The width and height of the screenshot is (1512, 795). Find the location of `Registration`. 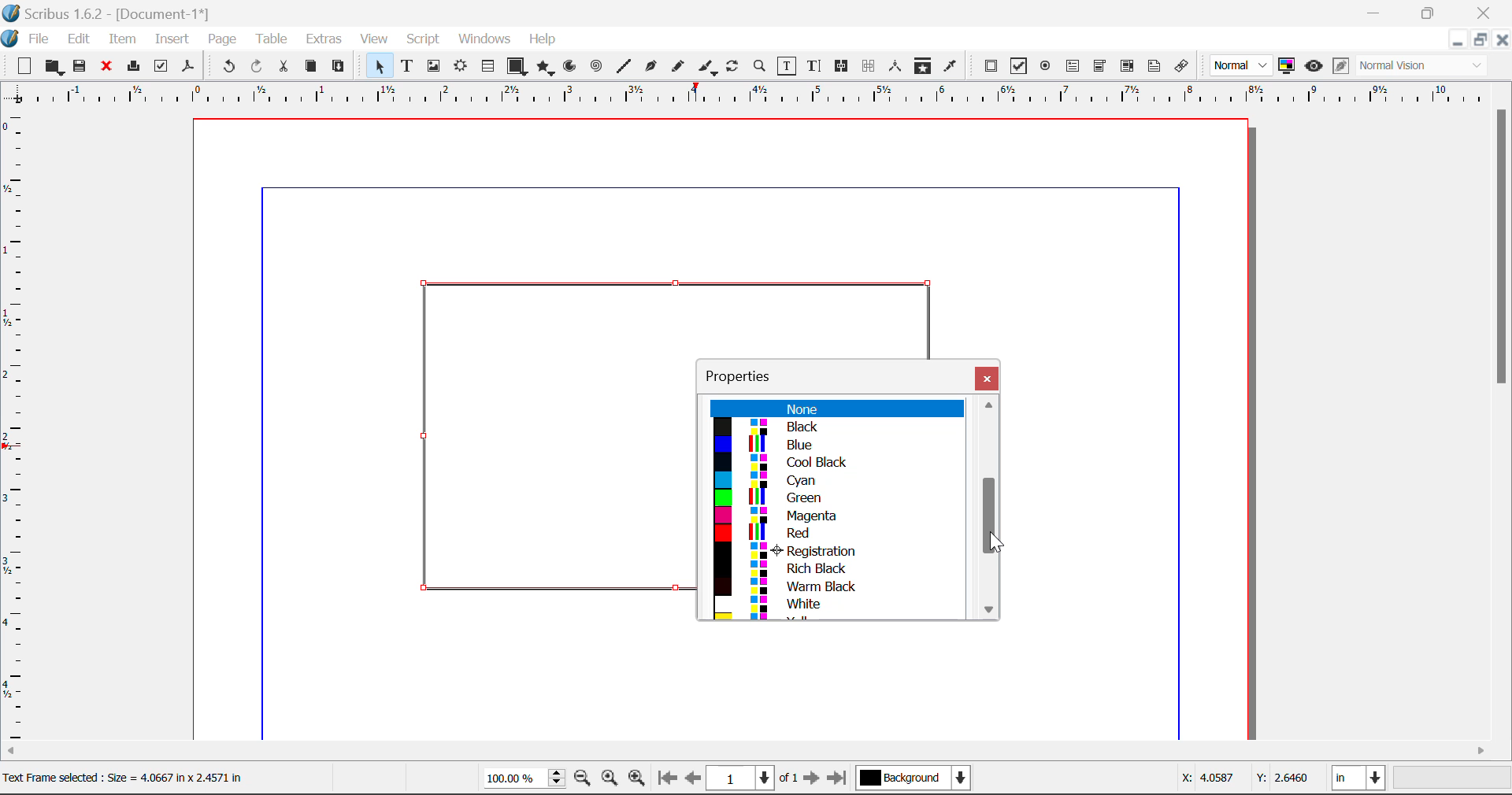

Registration is located at coordinates (833, 550).